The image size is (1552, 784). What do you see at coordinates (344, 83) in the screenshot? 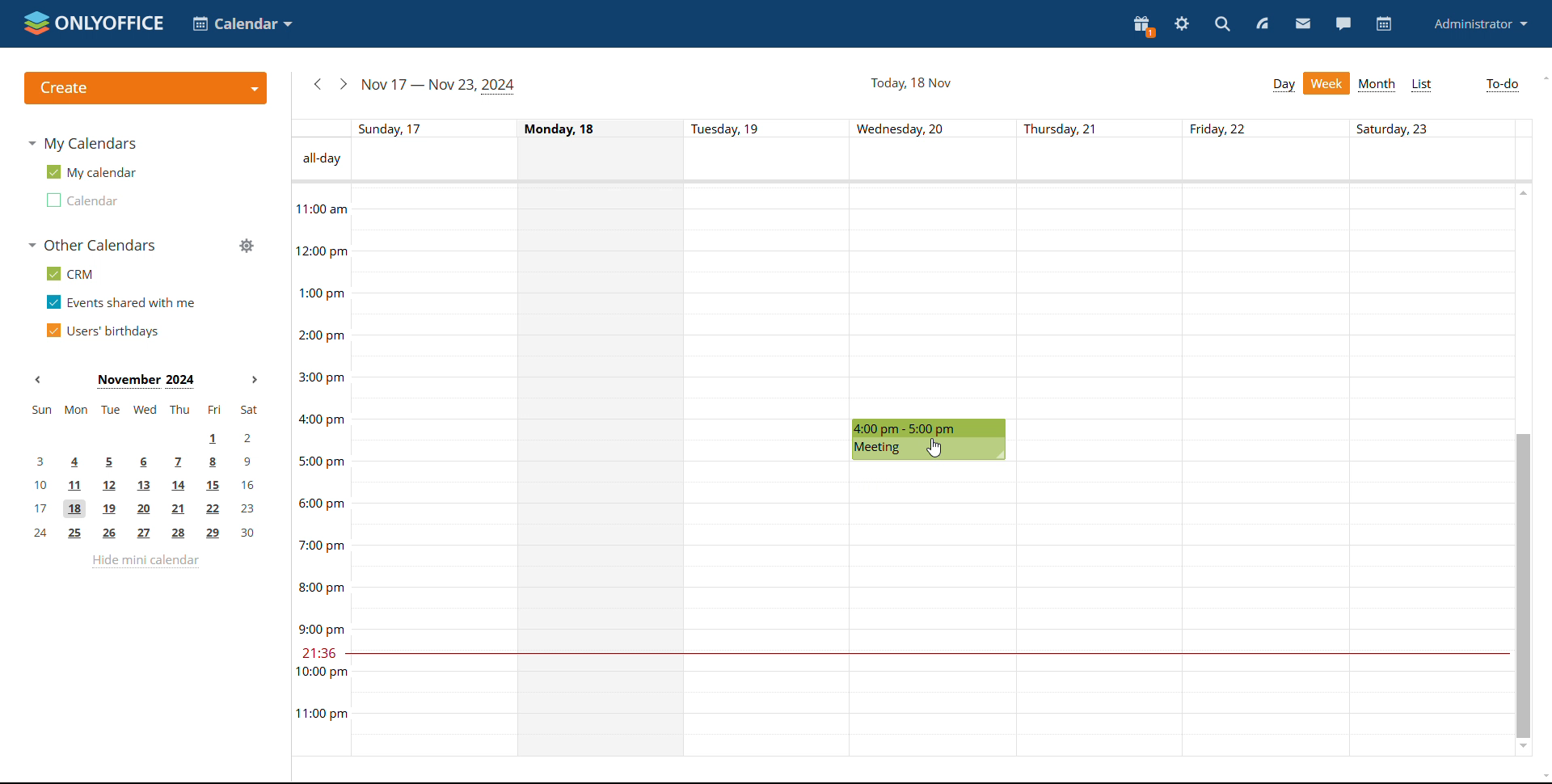
I see `next week` at bounding box center [344, 83].